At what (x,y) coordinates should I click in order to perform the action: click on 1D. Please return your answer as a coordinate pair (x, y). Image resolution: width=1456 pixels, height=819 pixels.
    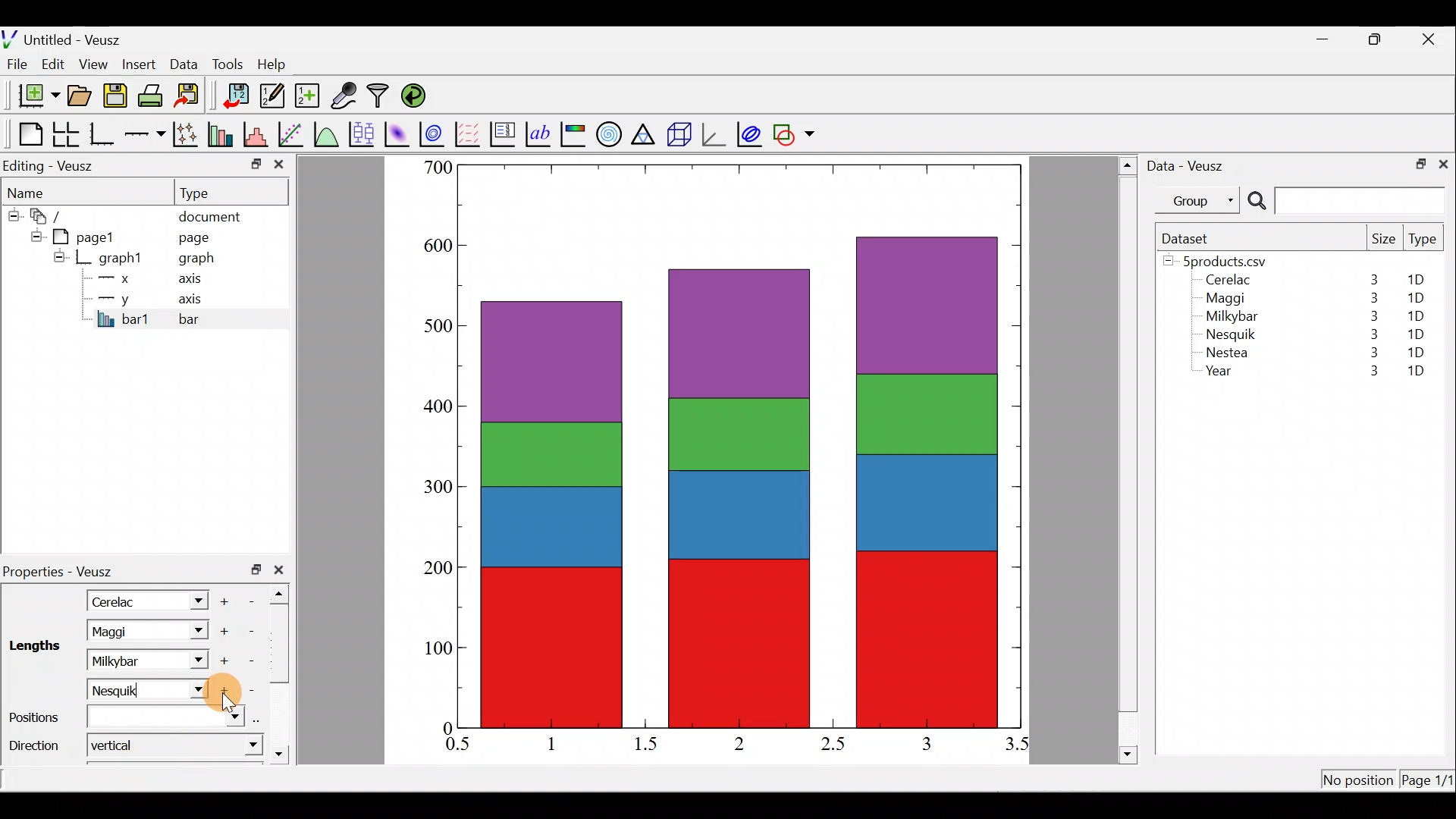
    Looking at the image, I should click on (1416, 372).